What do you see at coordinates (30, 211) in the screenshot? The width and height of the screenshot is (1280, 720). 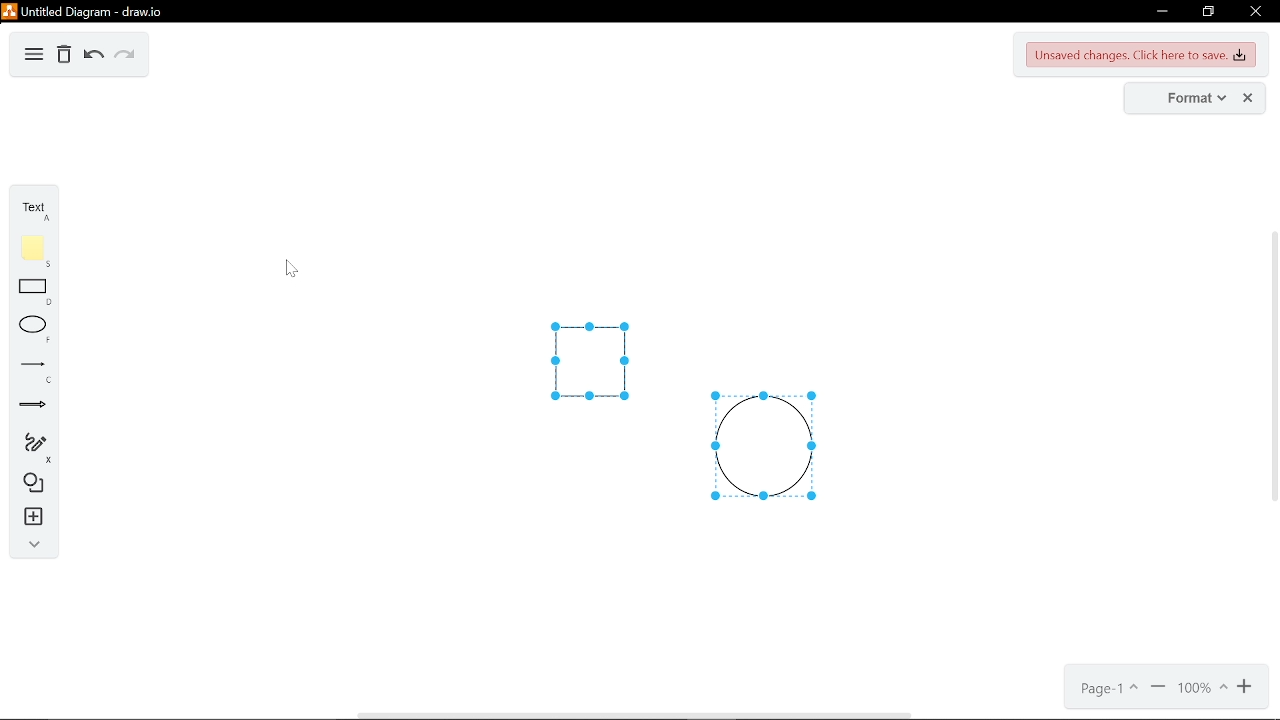 I see `text` at bounding box center [30, 211].